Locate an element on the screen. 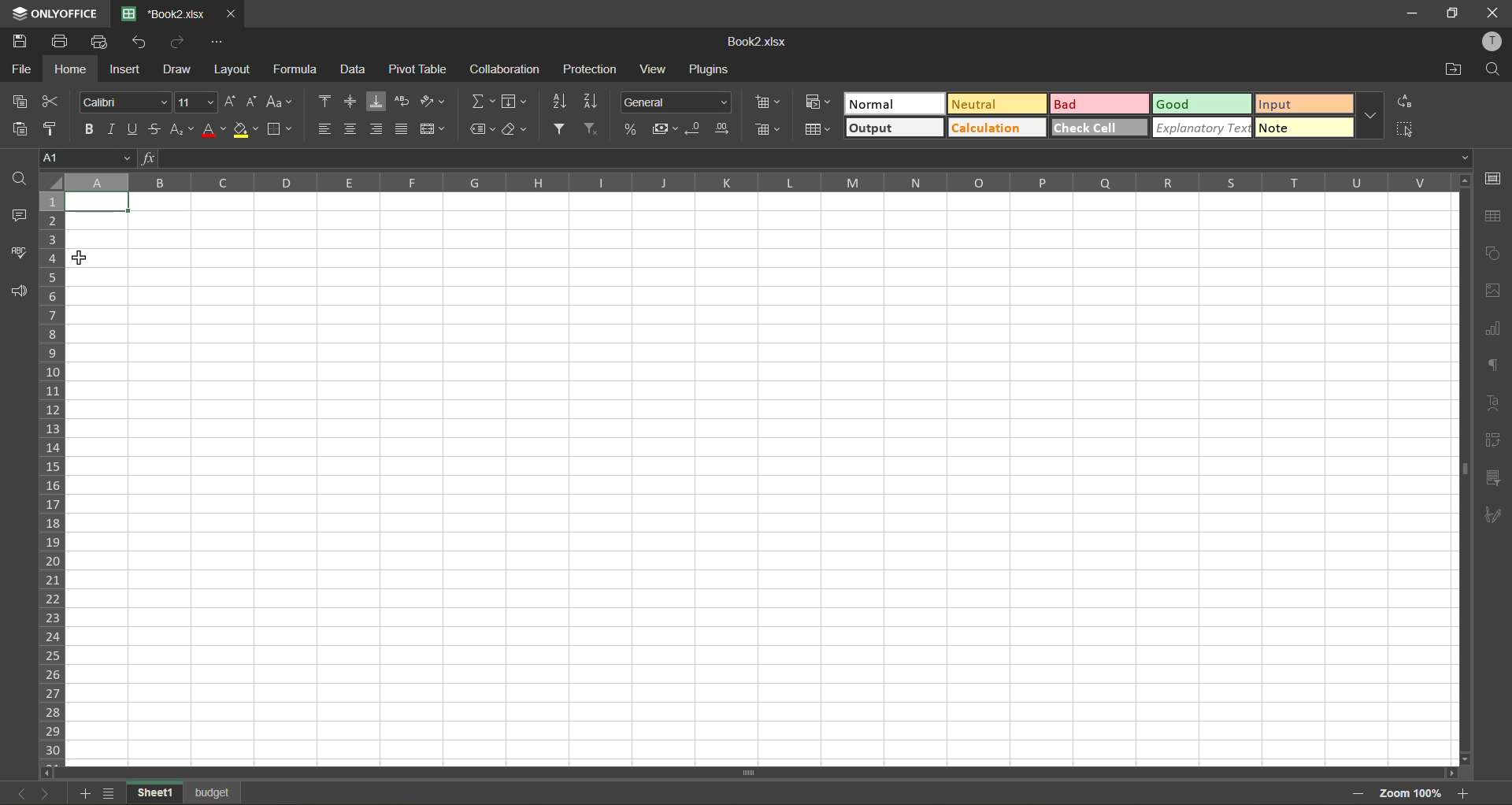 The image size is (1512, 805). file name is located at coordinates (758, 43).